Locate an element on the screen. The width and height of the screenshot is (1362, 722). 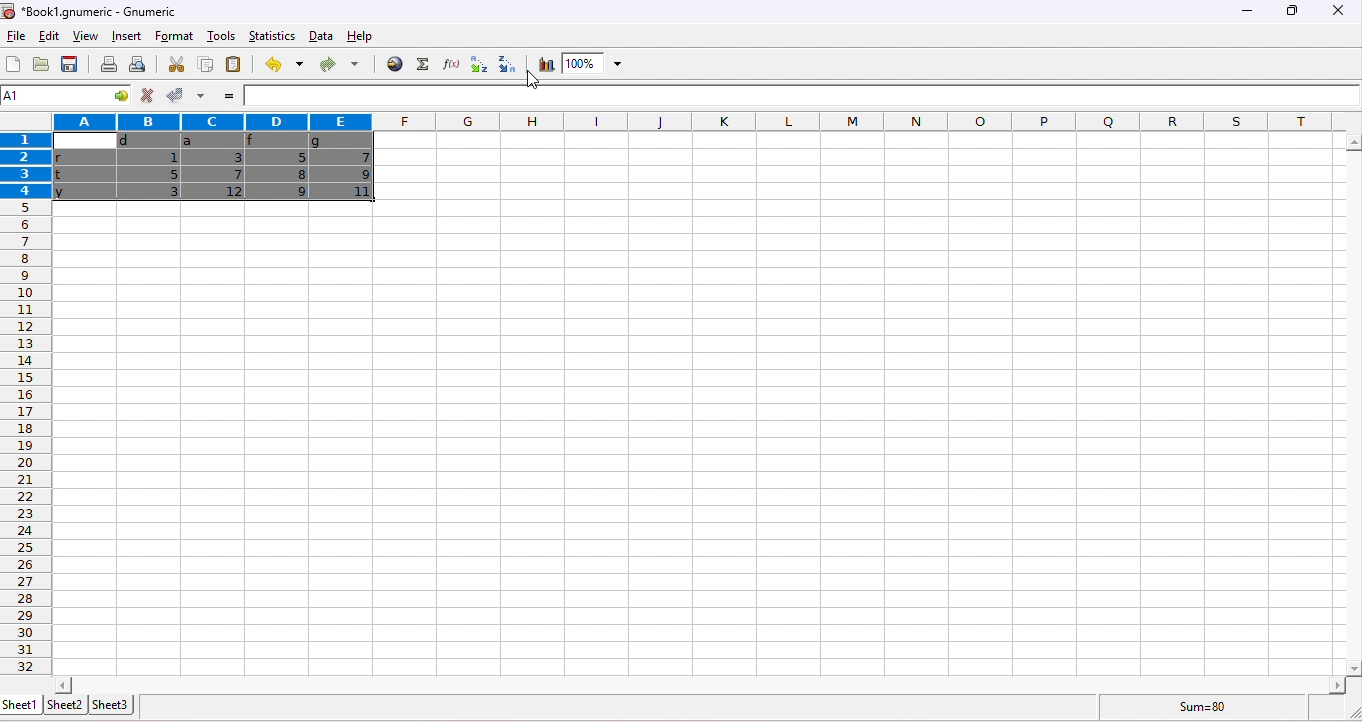
sheet2 is located at coordinates (65, 705).